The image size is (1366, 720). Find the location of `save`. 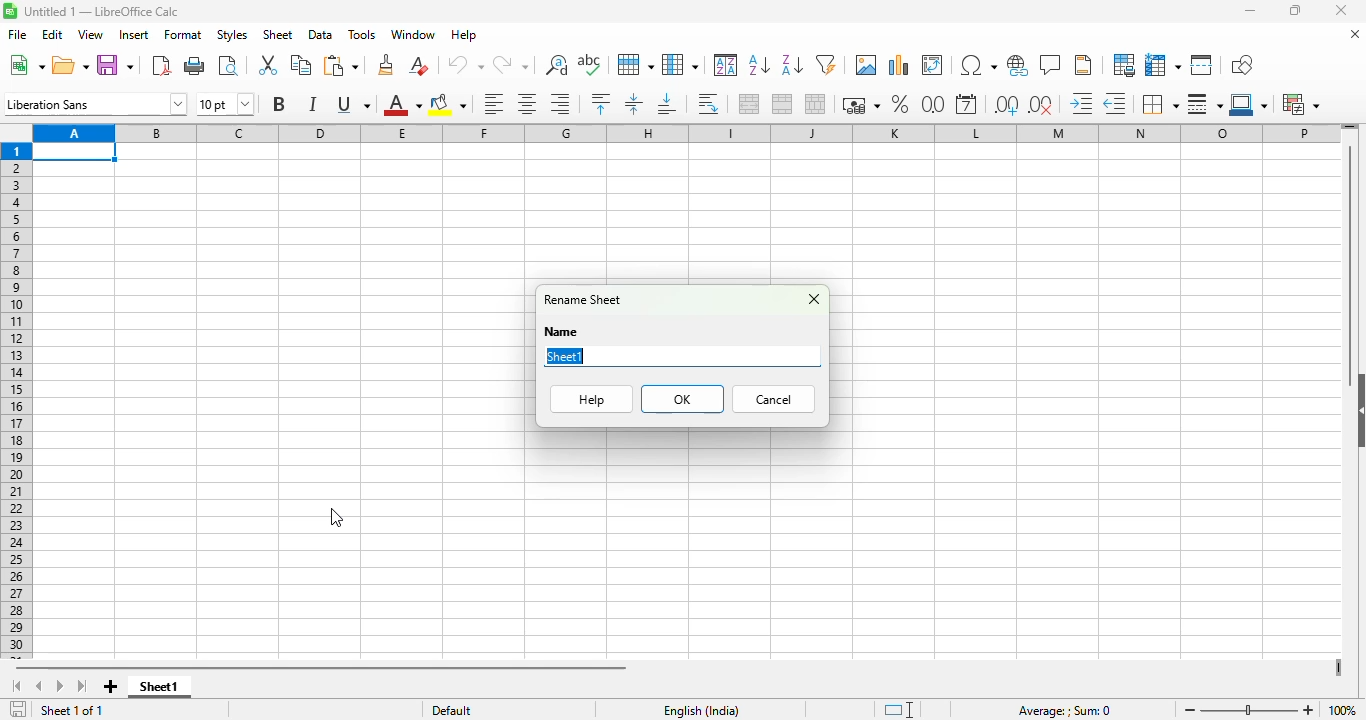

save is located at coordinates (116, 65).